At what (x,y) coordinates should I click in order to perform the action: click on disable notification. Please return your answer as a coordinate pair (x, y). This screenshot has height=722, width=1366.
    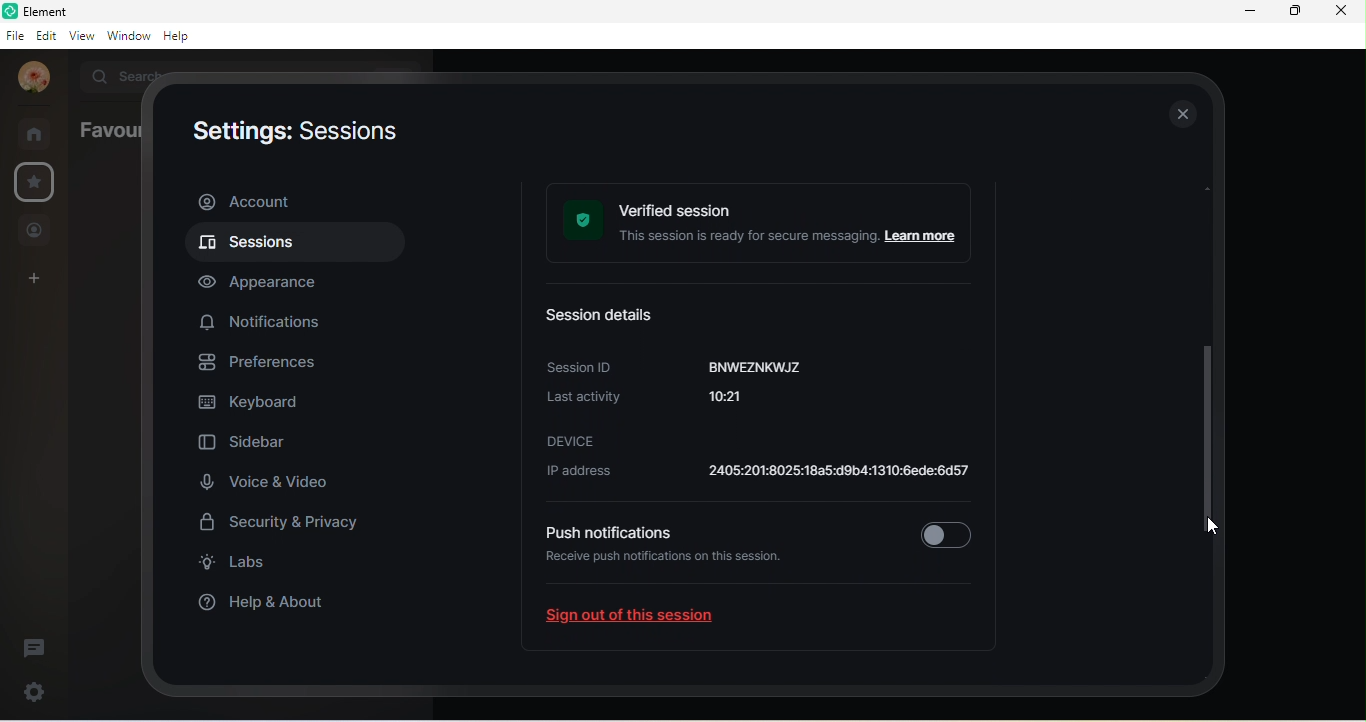
    Looking at the image, I should click on (946, 531).